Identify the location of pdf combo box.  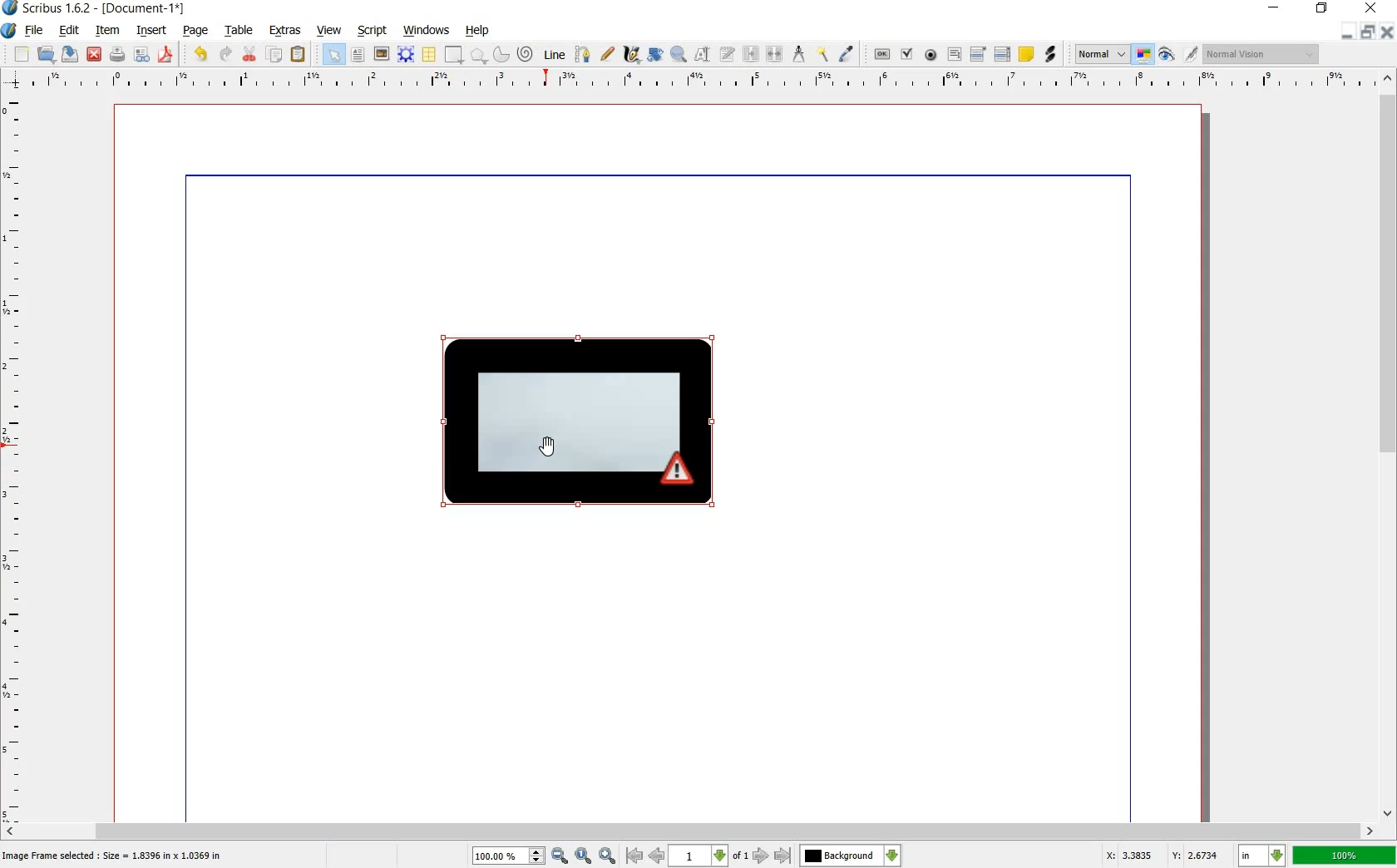
(978, 55).